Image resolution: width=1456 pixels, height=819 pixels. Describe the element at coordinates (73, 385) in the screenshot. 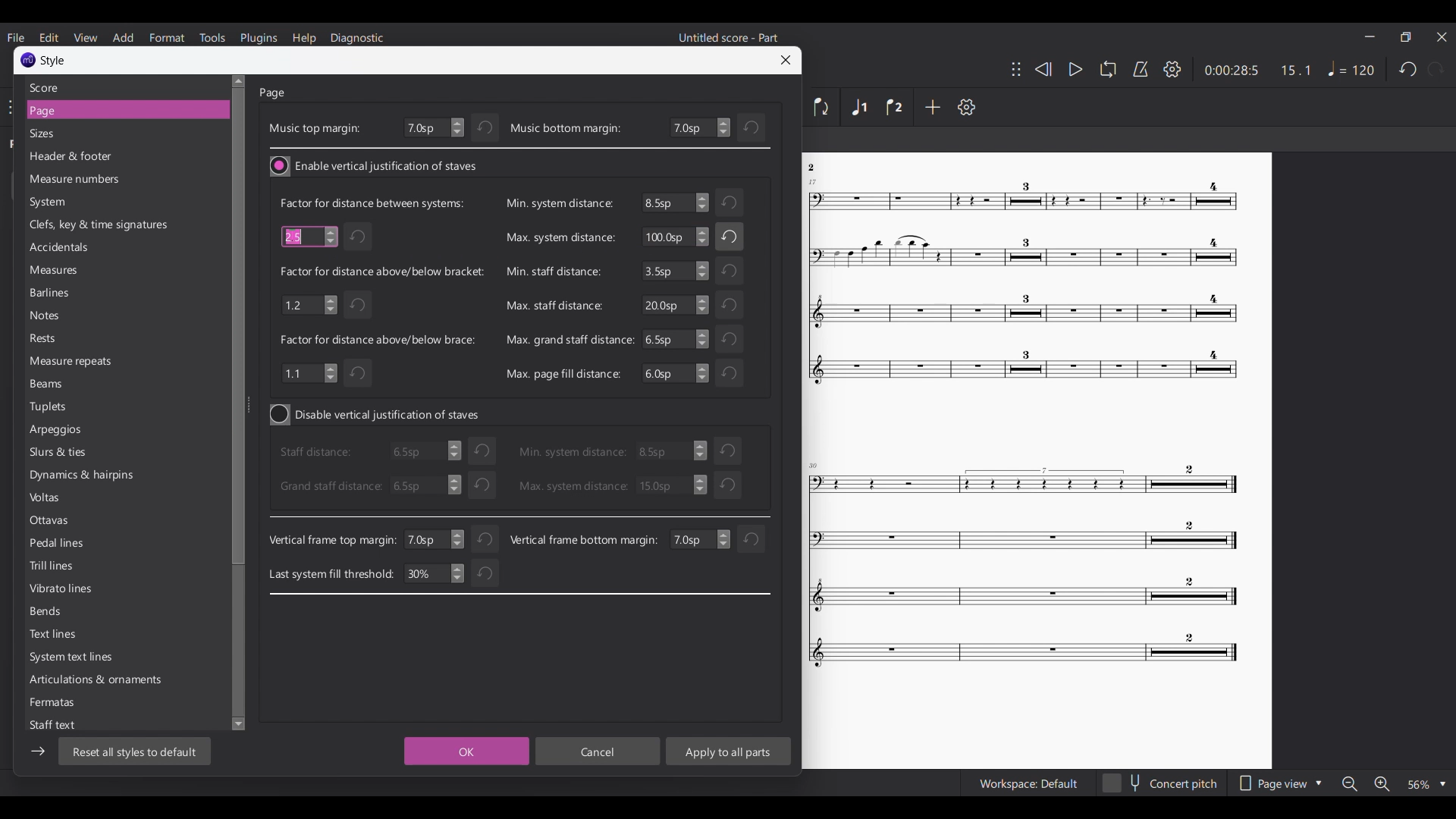

I see `Beams` at that location.